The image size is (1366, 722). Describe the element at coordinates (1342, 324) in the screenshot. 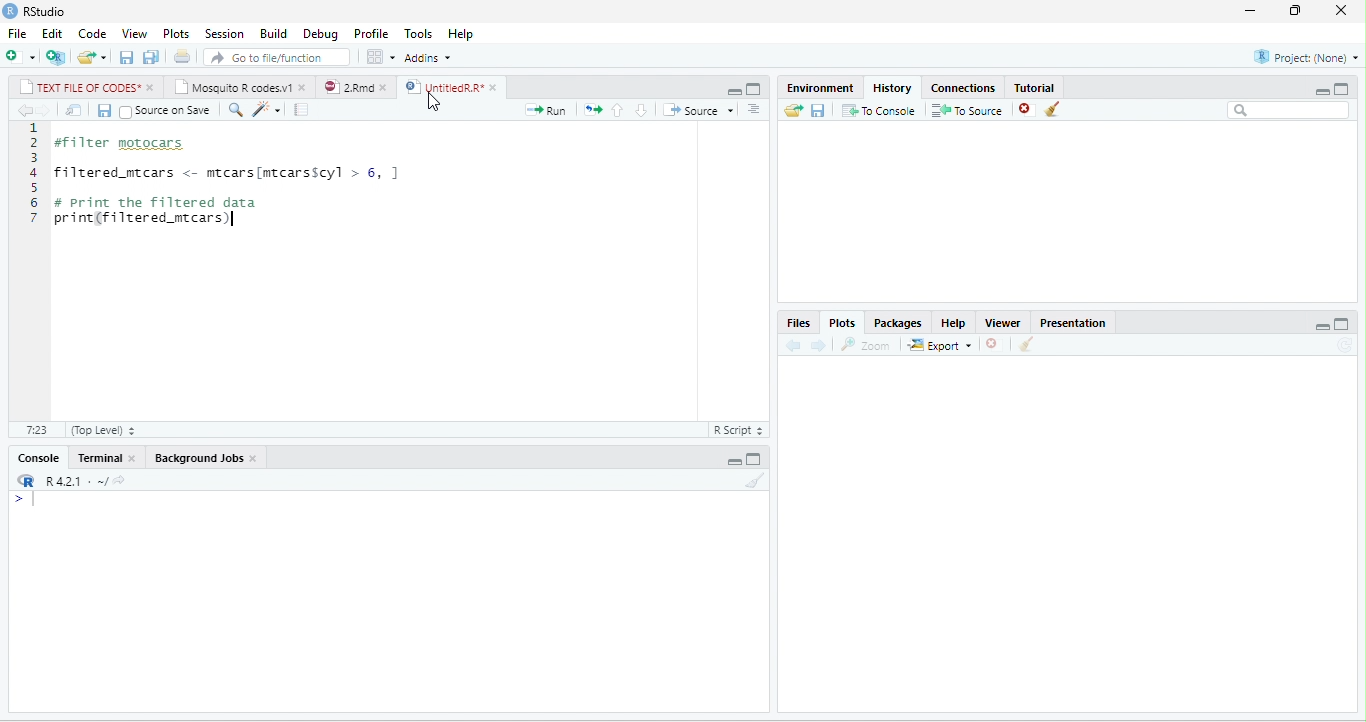

I see `maximize` at that location.